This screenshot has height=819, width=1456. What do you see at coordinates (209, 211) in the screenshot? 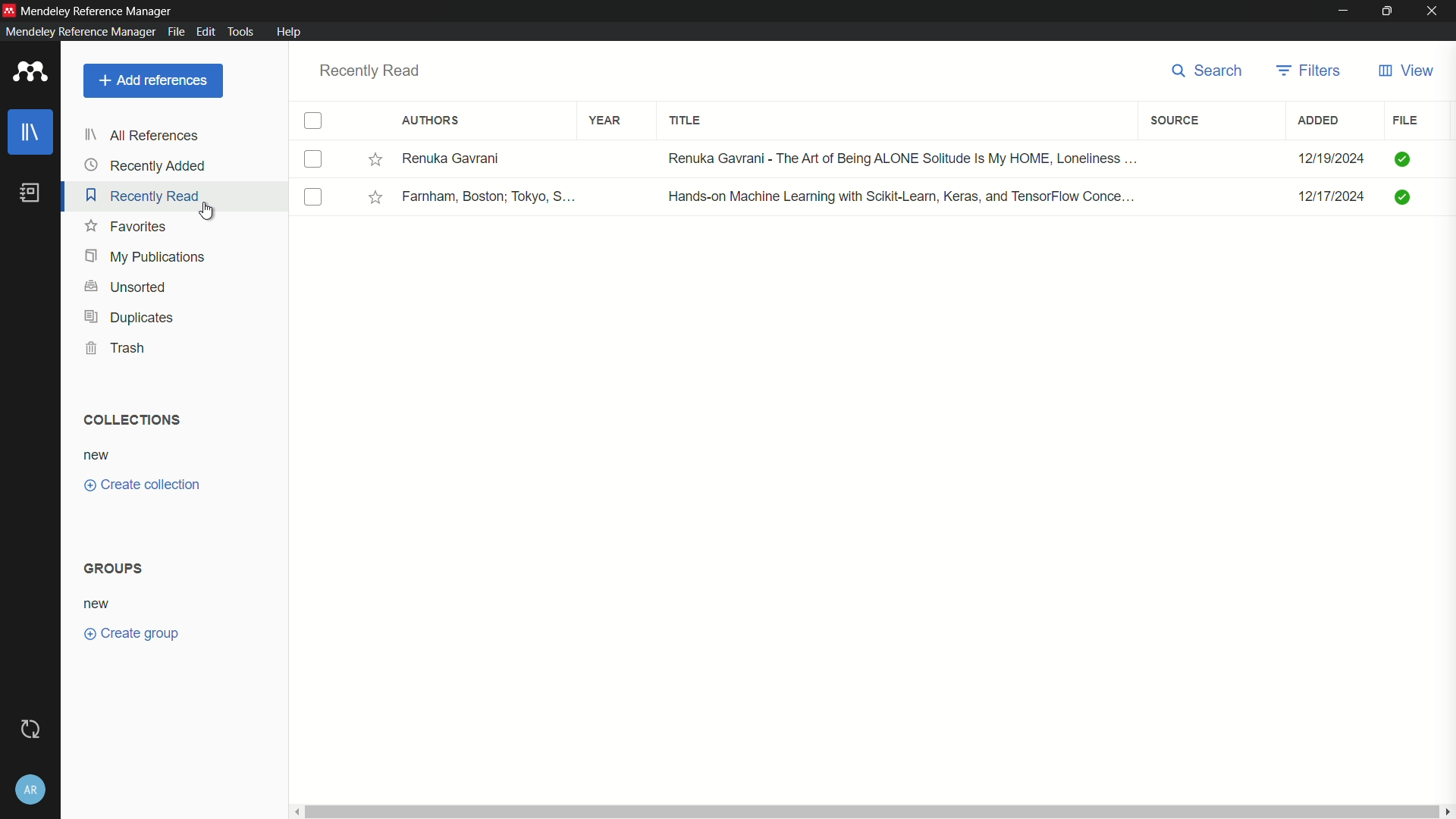
I see `cursor` at bounding box center [209, 211].